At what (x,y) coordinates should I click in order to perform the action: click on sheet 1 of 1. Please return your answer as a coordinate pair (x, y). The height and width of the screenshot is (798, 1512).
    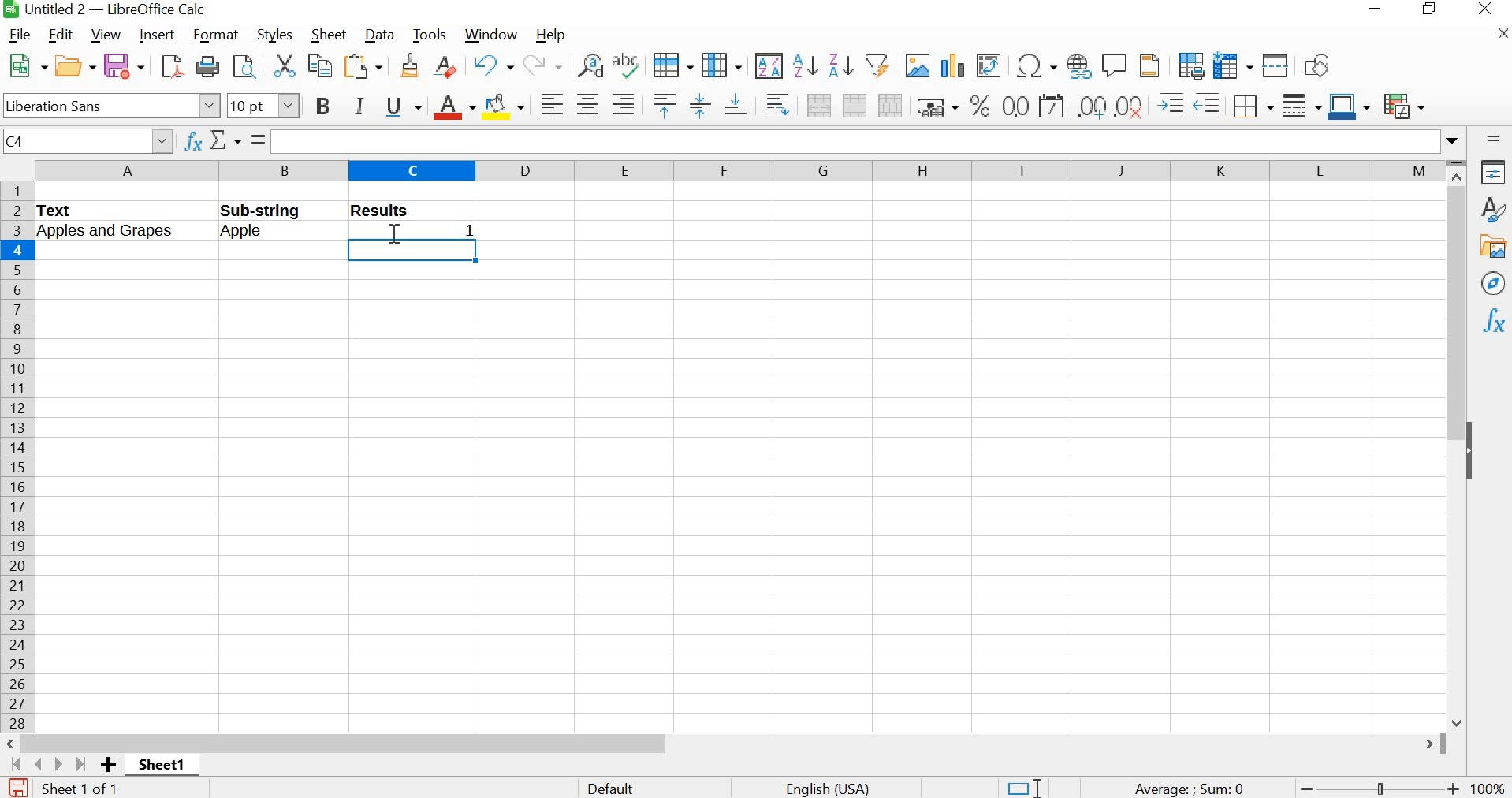
    Looking at the image, I should click on (81, 789).